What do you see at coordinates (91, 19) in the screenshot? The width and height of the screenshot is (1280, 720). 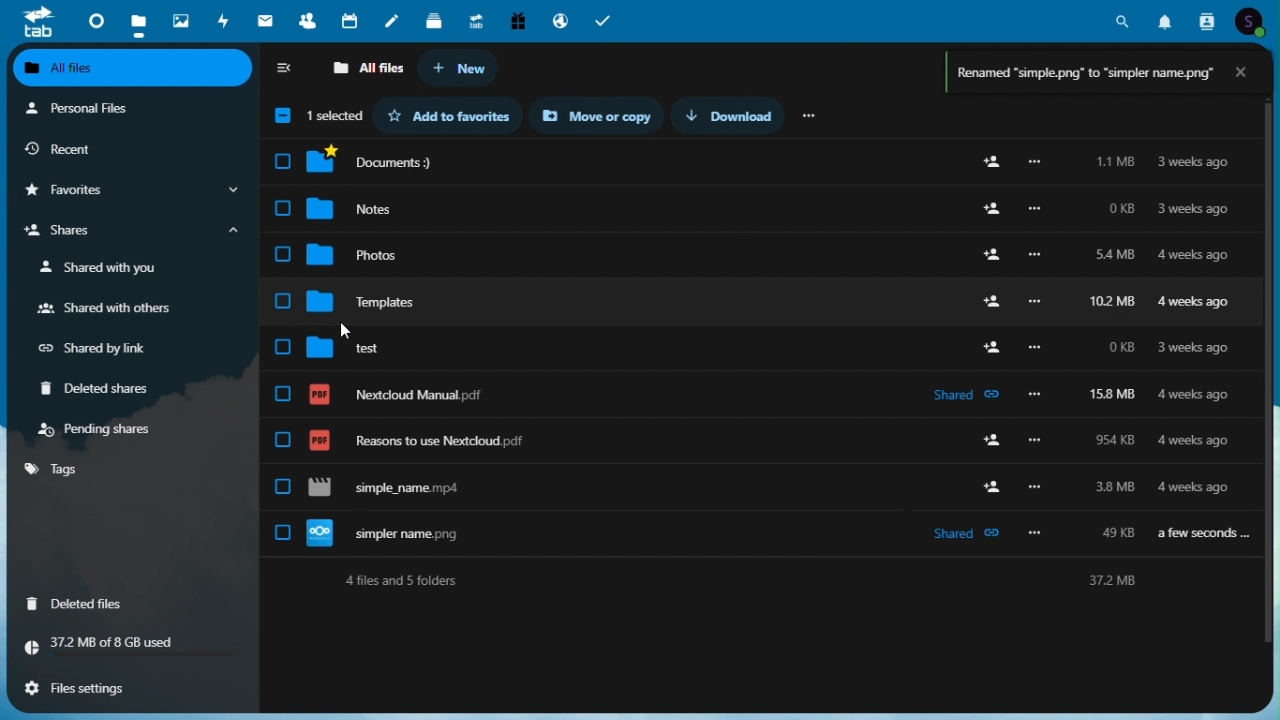 I see `dashboard` at bounding box center [91, 19].